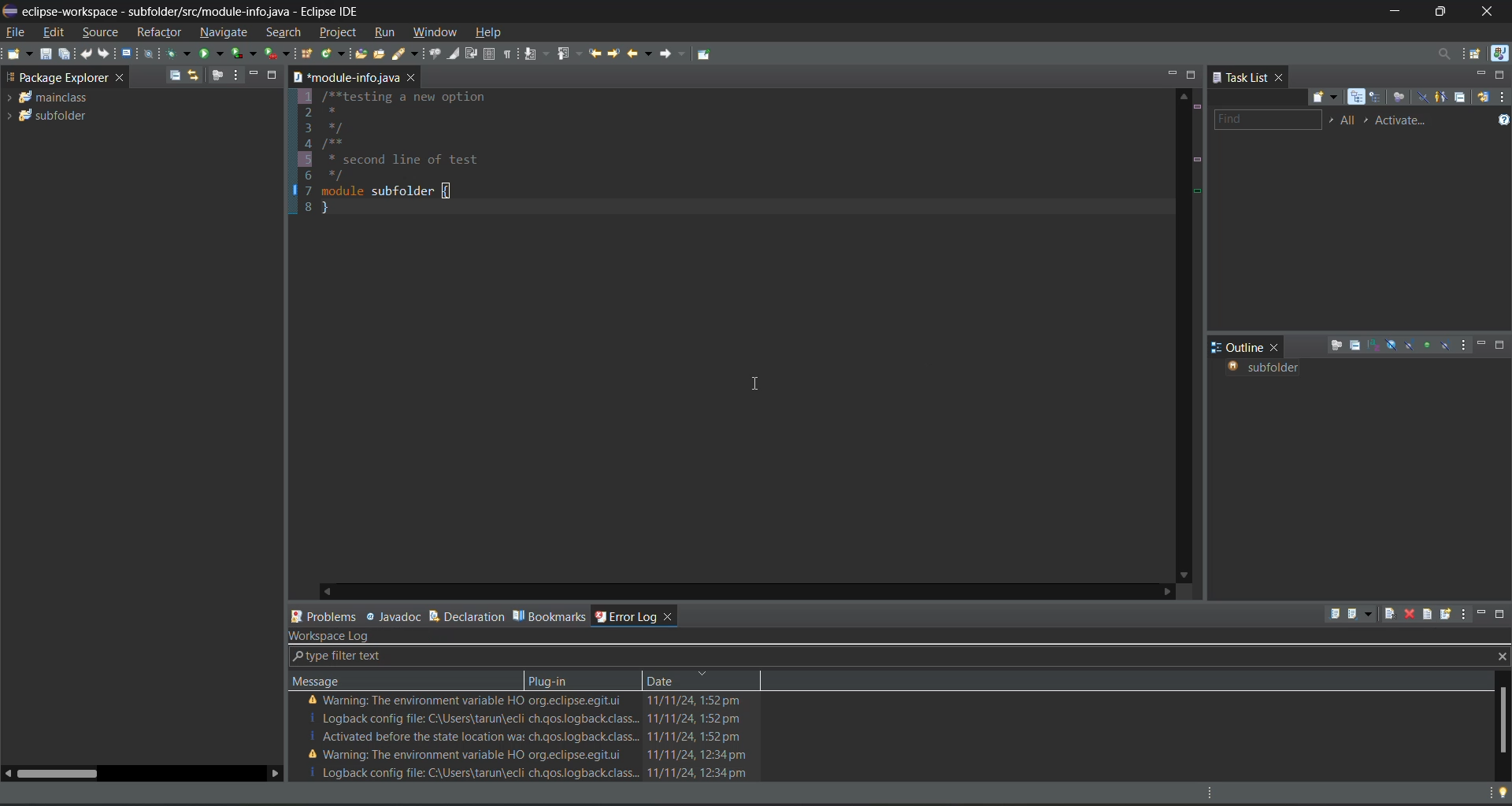  Describe the element at coordinates (1425, 98) in the screenshot. I see `hide completed tasks` at that location.